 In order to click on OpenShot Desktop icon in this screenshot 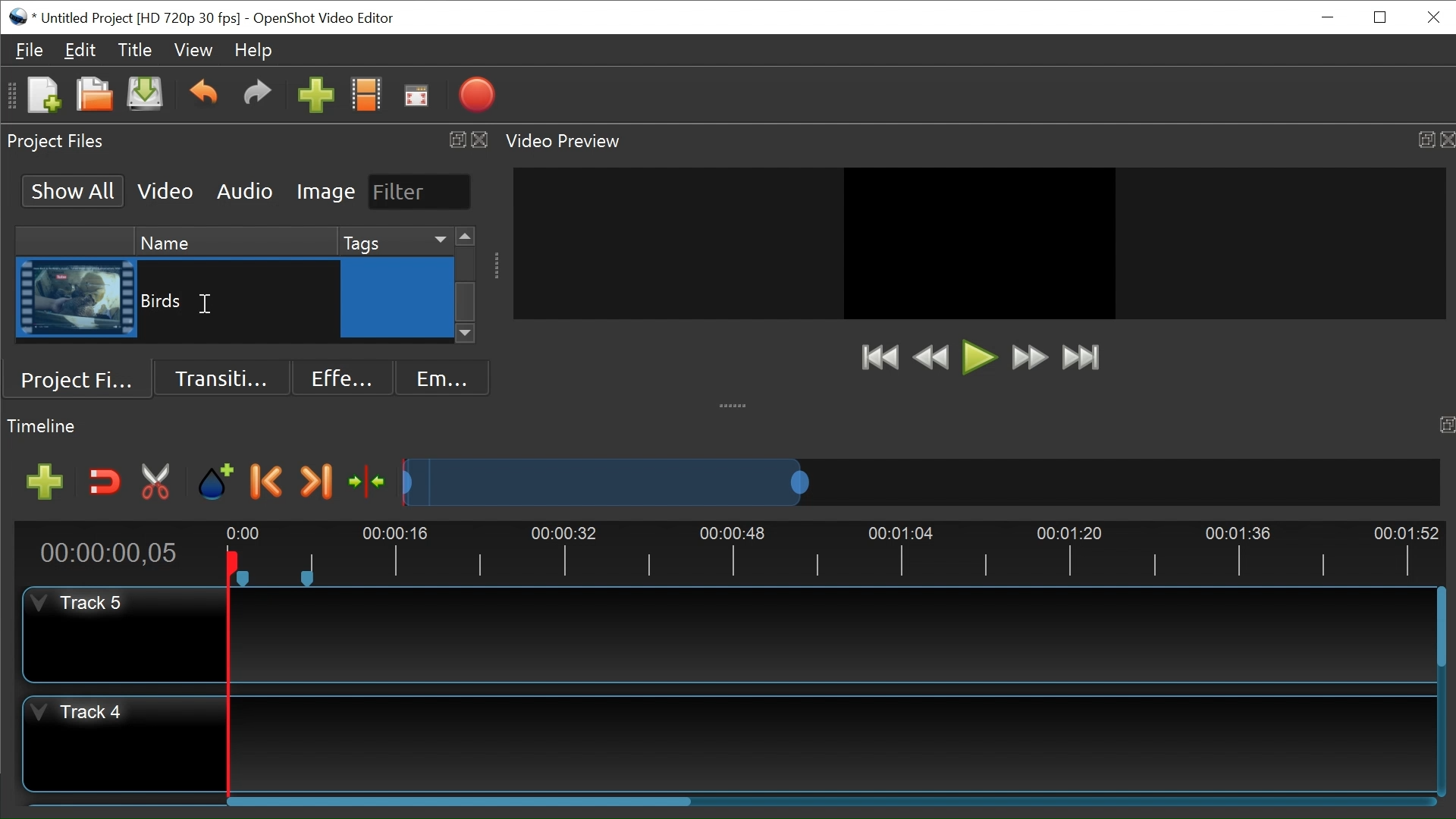, I will do `click(19, 15)`.